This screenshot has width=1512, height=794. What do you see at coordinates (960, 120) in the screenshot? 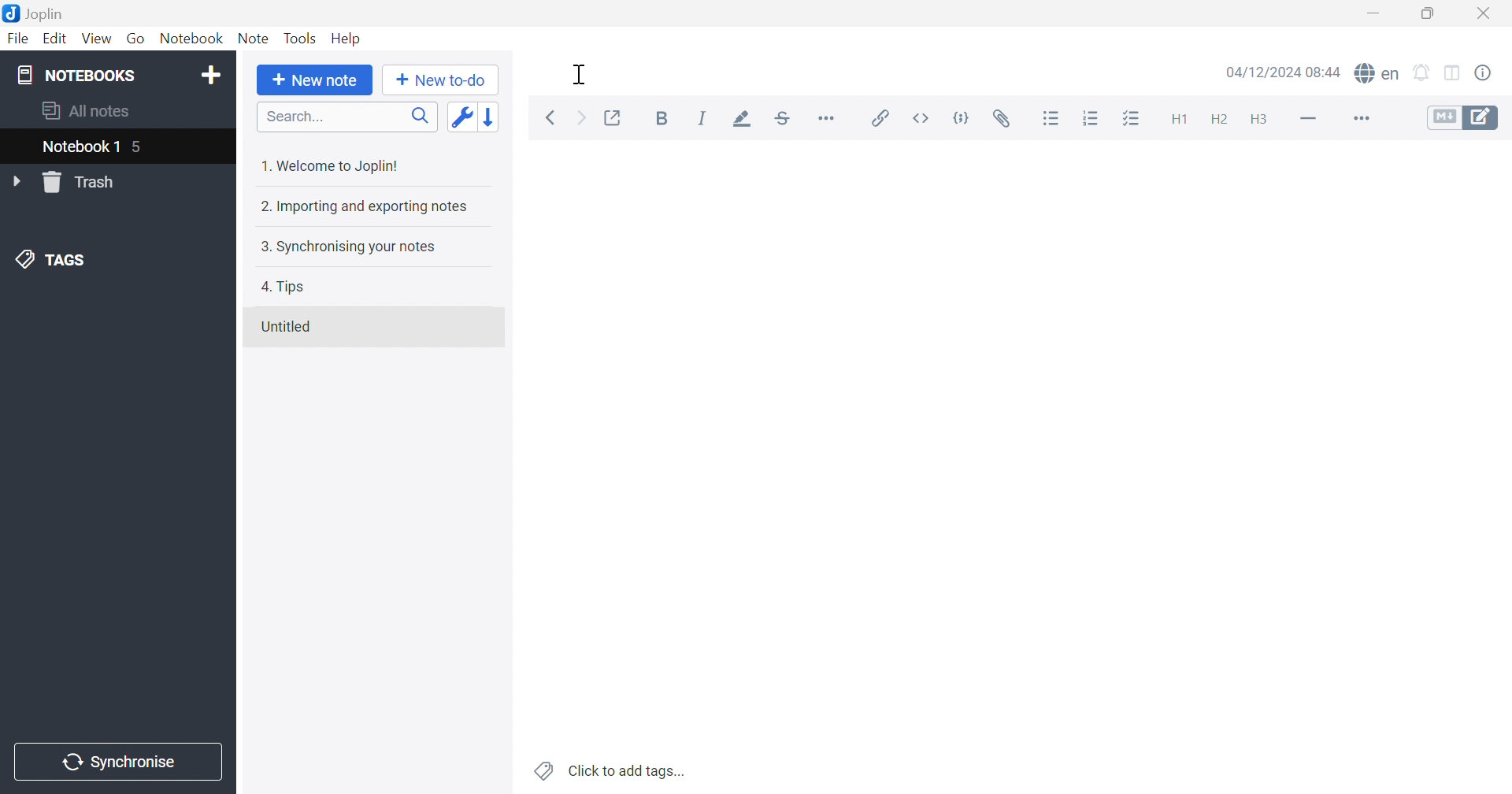
I see `Code` at bounding box center [960, 120].